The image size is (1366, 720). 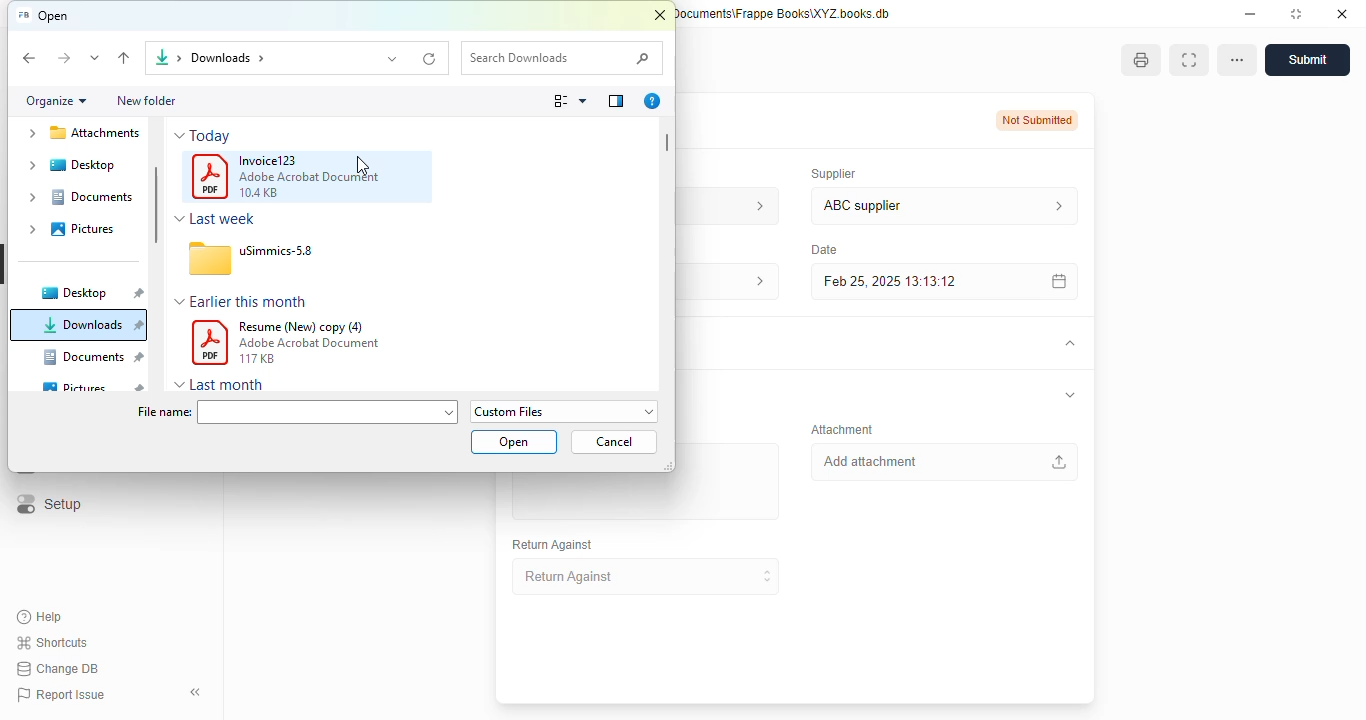 I want to click on report issue, so click(x=60, y=695).